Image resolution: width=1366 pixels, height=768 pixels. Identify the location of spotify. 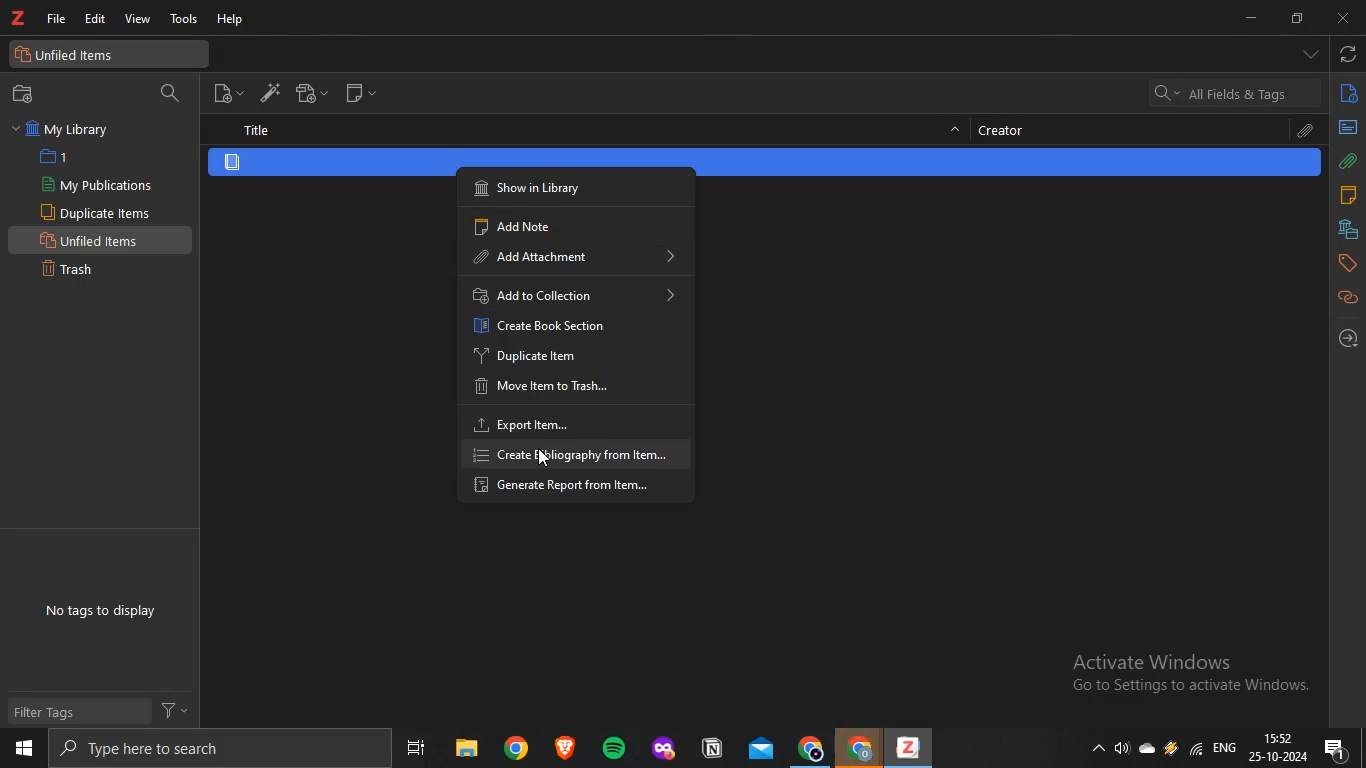
(609, 746).